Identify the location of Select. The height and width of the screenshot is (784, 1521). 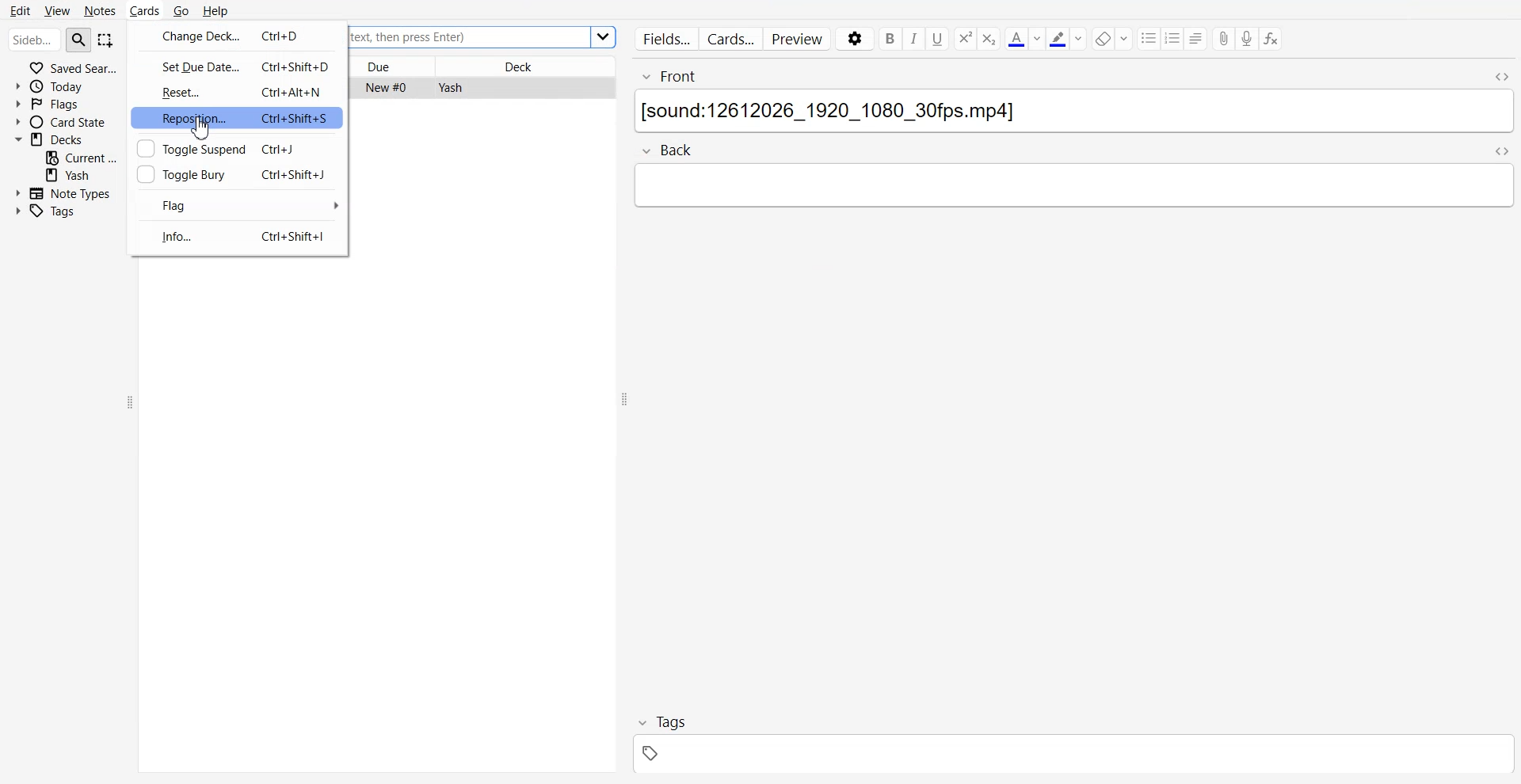
(106, 41).